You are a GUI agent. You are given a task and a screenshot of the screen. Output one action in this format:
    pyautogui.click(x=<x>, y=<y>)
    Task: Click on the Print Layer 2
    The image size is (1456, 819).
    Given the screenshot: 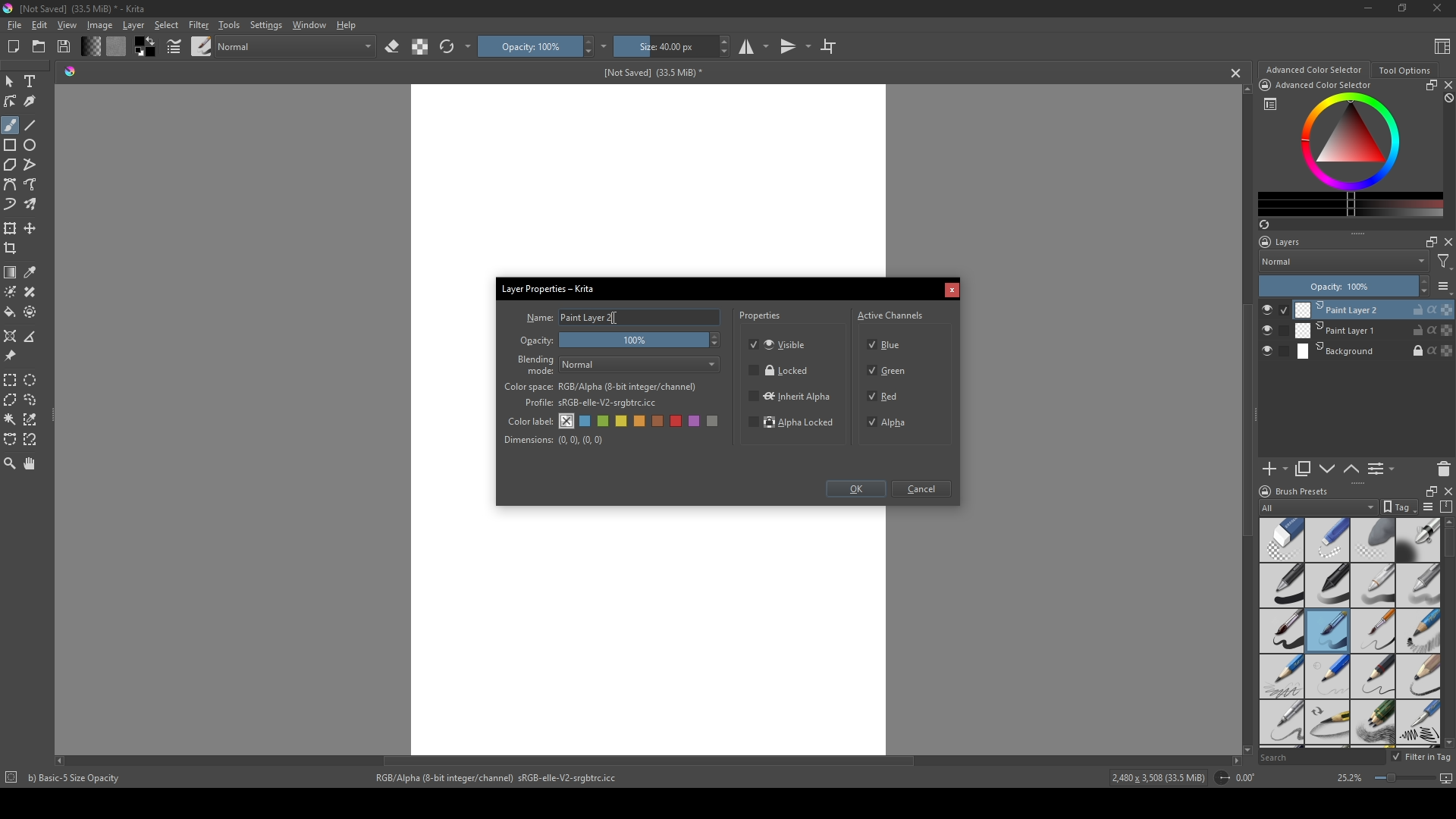 What is the action you would take?
    pyautogui.click(x=1373, y=309)
    